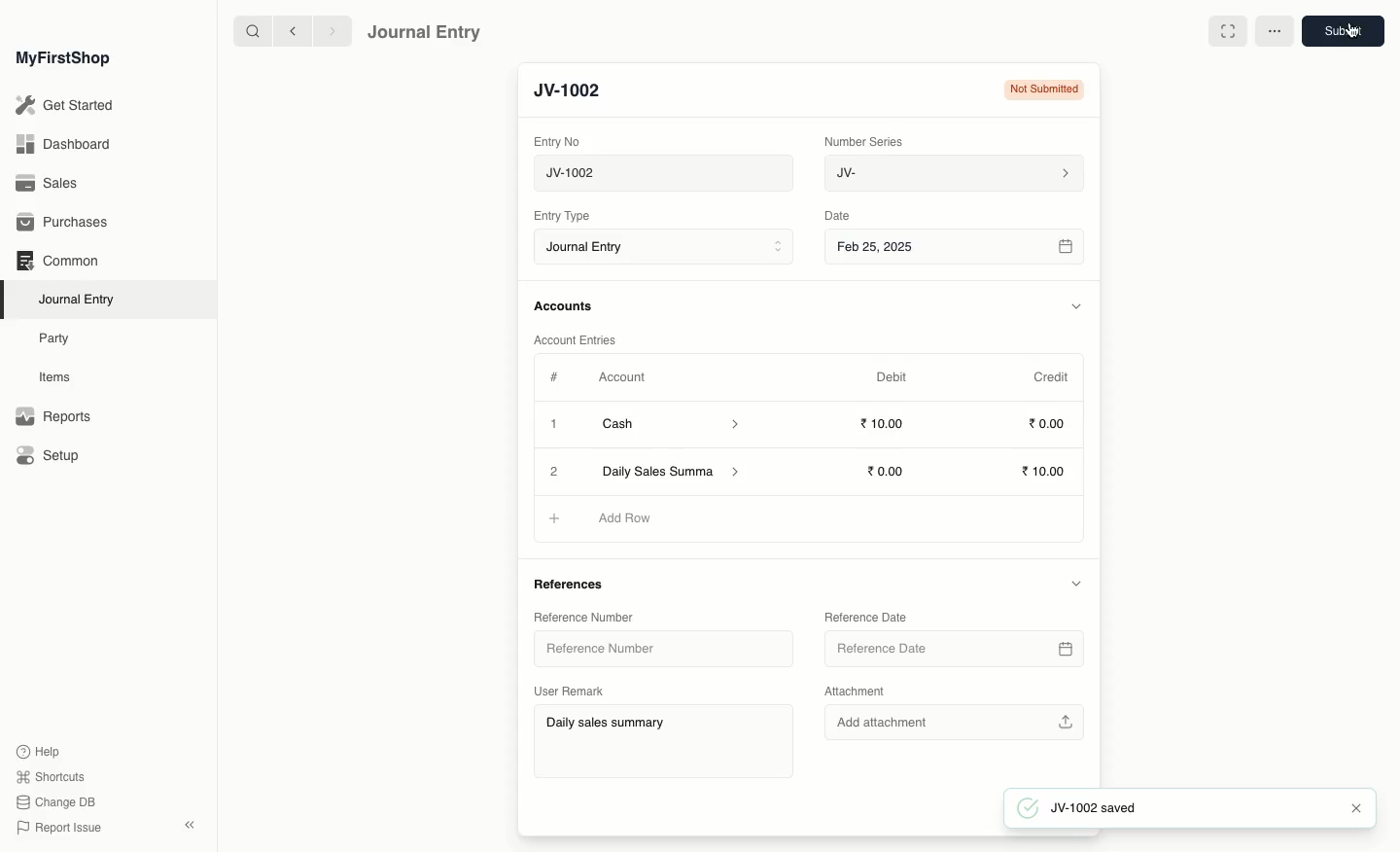 This screenshot has height=852, width=1400. What do you see at coordinates (555, 472) in the screenshot?
I see `Close` at bounding box center [555, 472].